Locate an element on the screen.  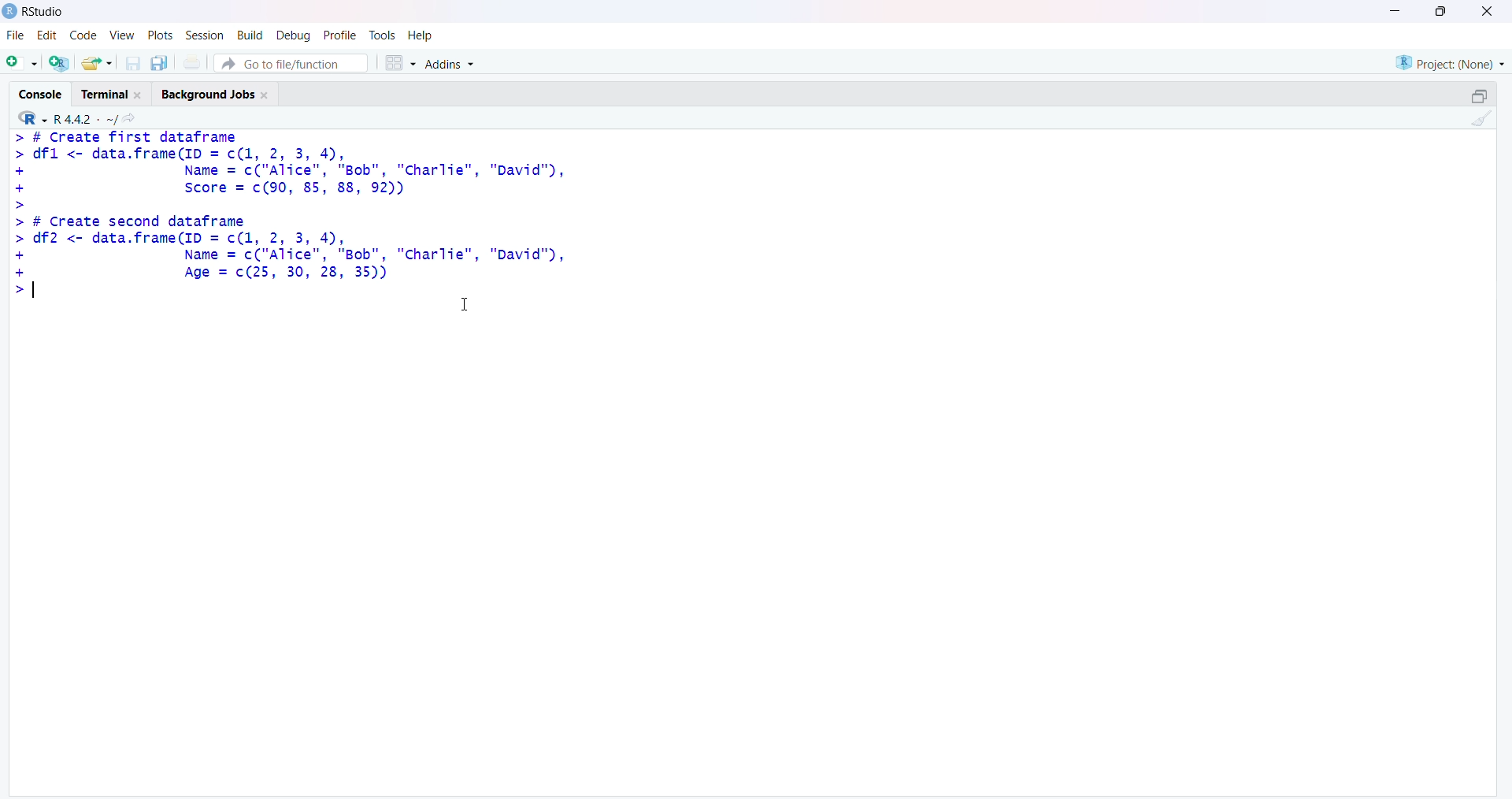
project (none) is located at coordinates (1450, 62).